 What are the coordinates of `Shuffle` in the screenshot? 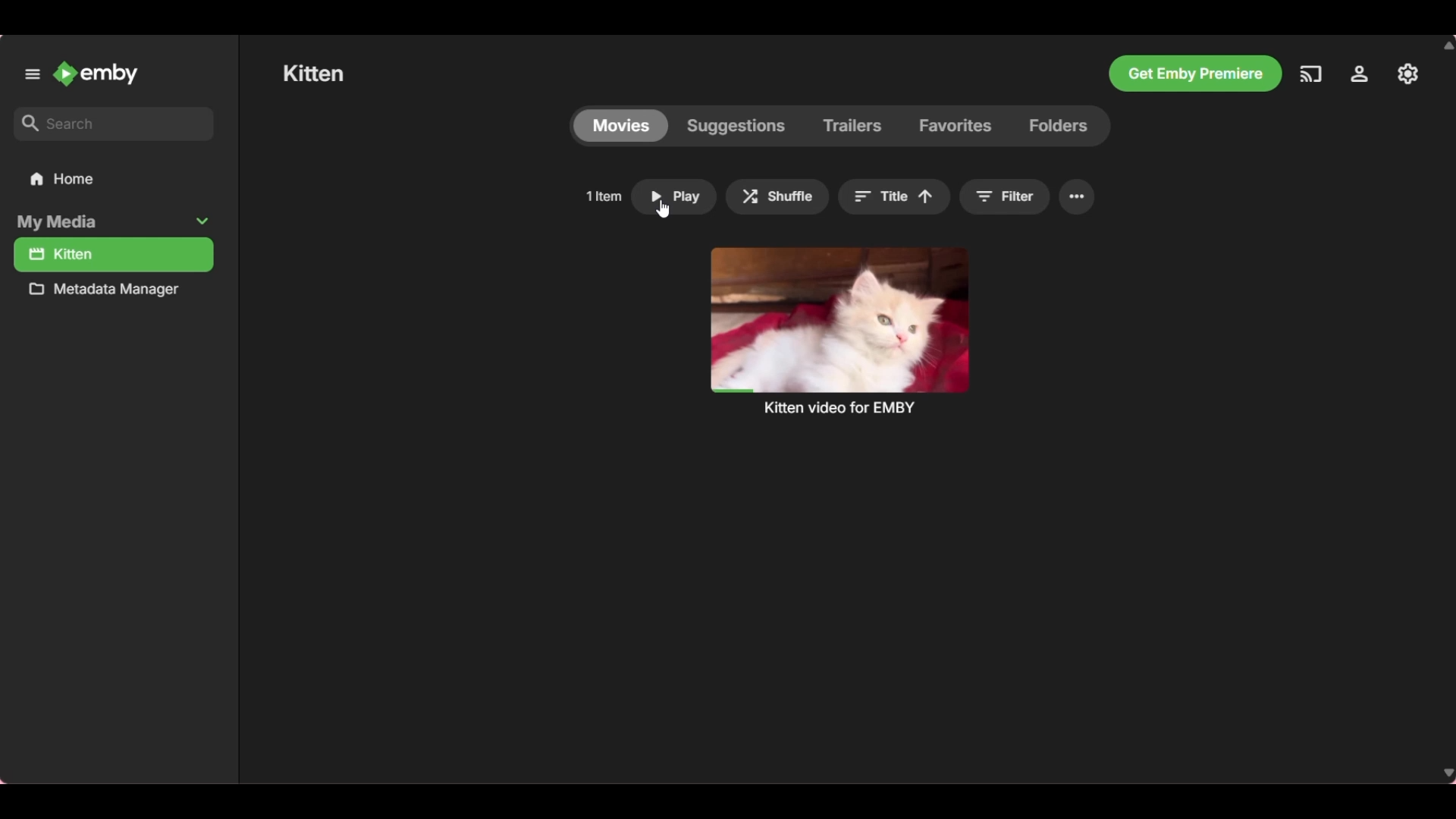 It's located at (777, 196).